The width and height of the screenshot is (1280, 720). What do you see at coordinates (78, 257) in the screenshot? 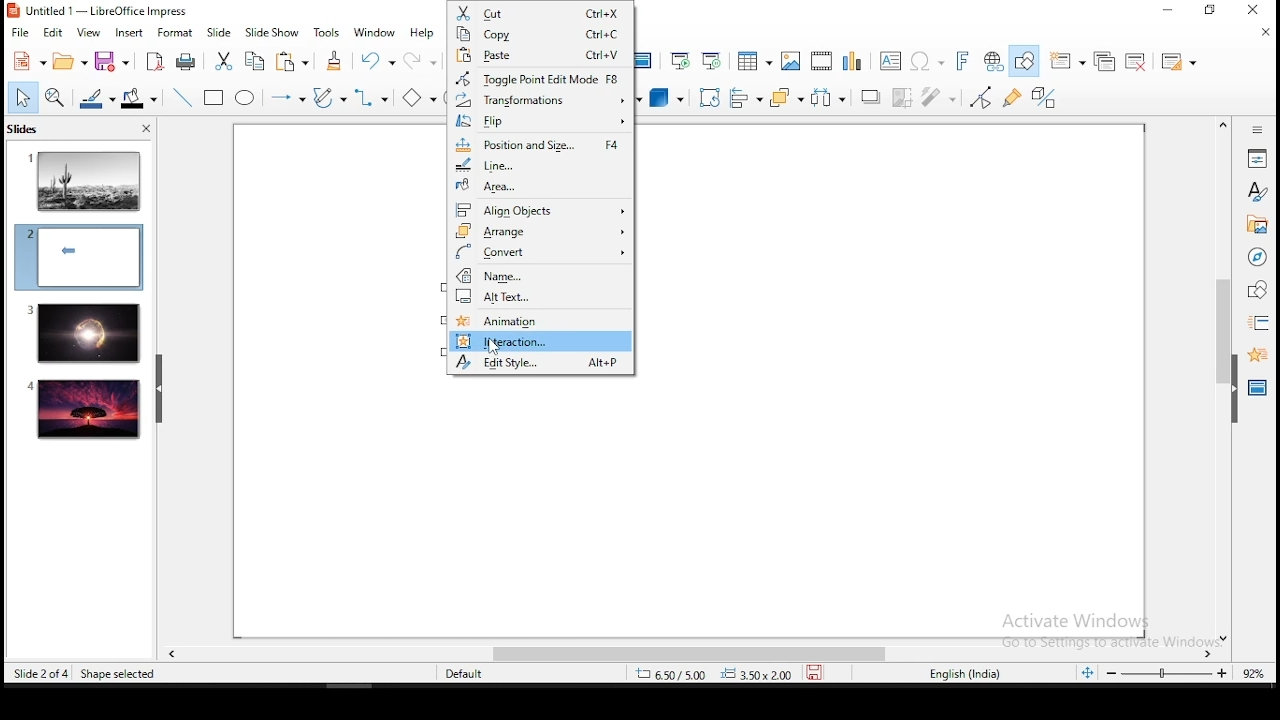
I see `slide 2` at bounding box center [78, 257].